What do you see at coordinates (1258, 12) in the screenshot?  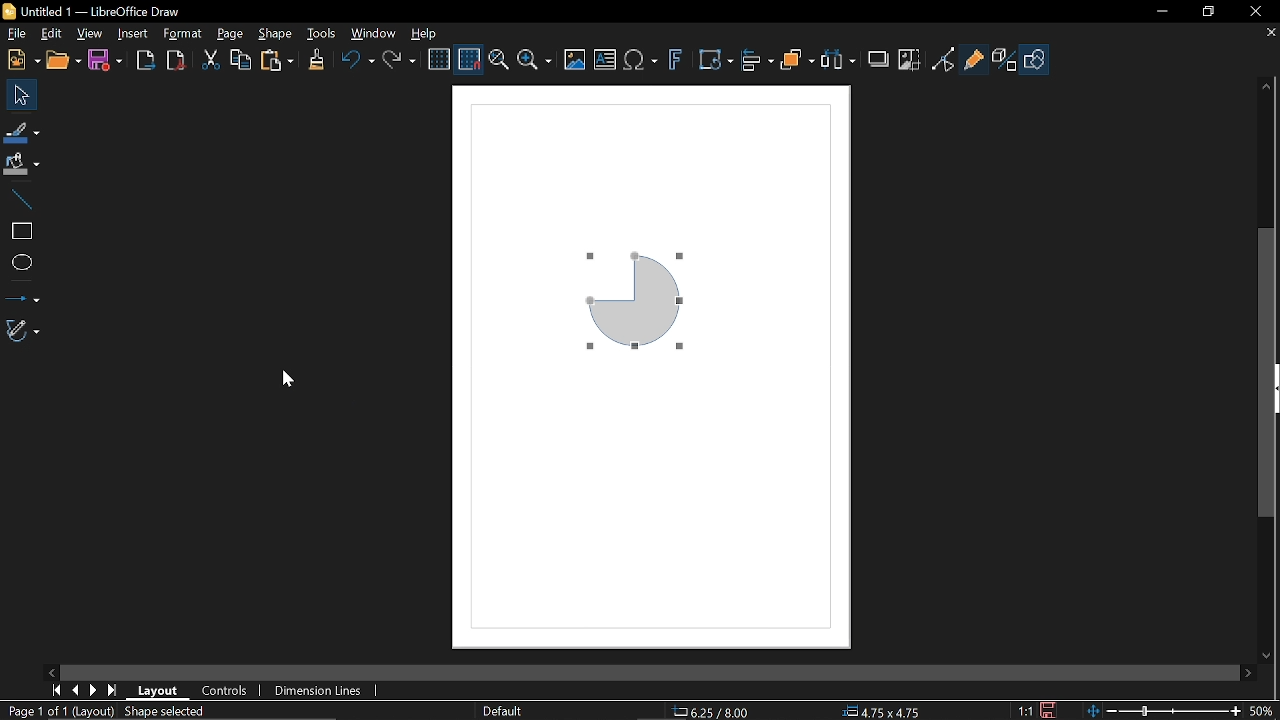 I see `Close window` at bounding box center [1258, 12].